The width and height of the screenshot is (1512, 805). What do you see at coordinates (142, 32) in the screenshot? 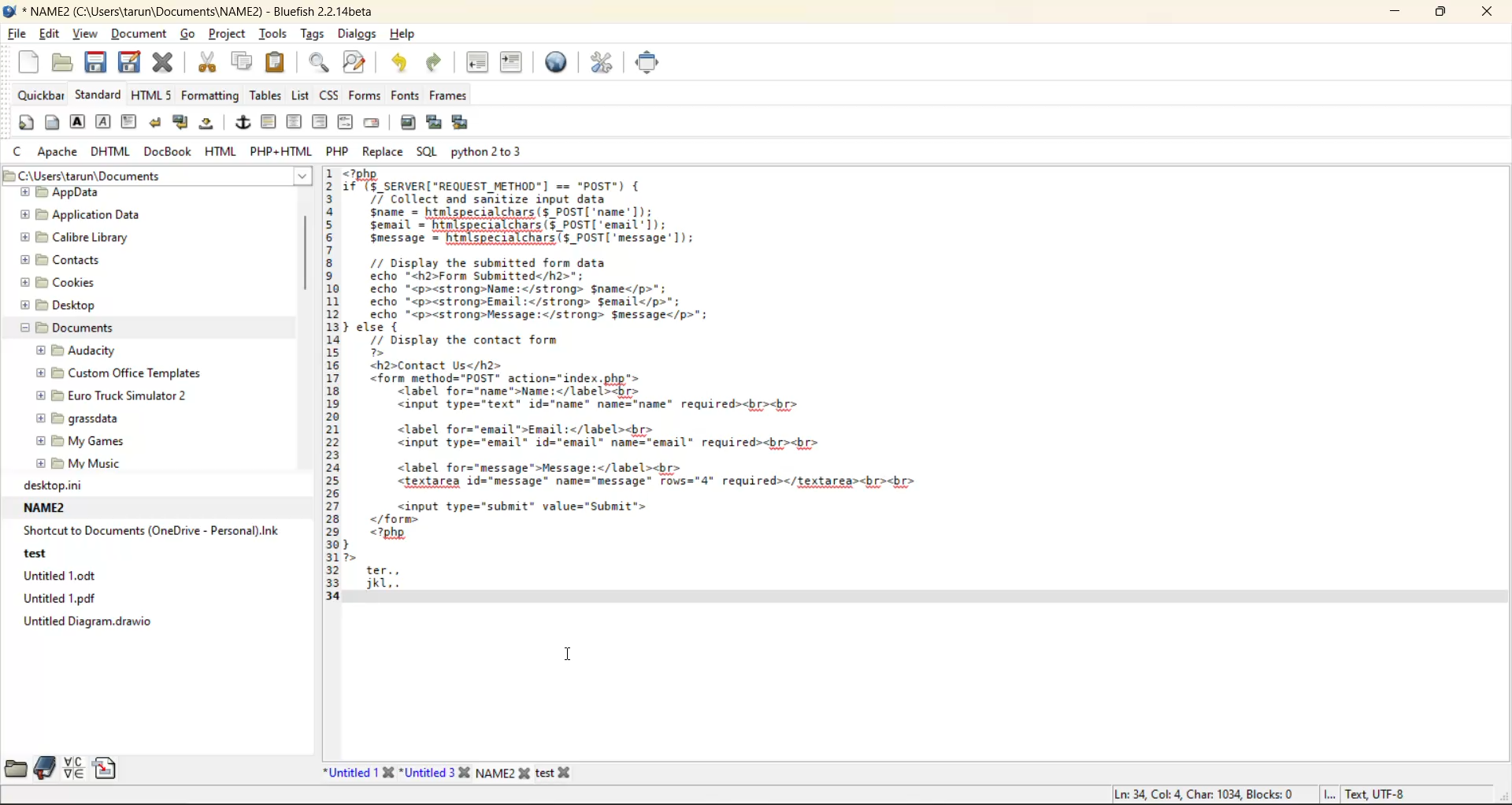
I see `document` at bounding box center [142, 32].